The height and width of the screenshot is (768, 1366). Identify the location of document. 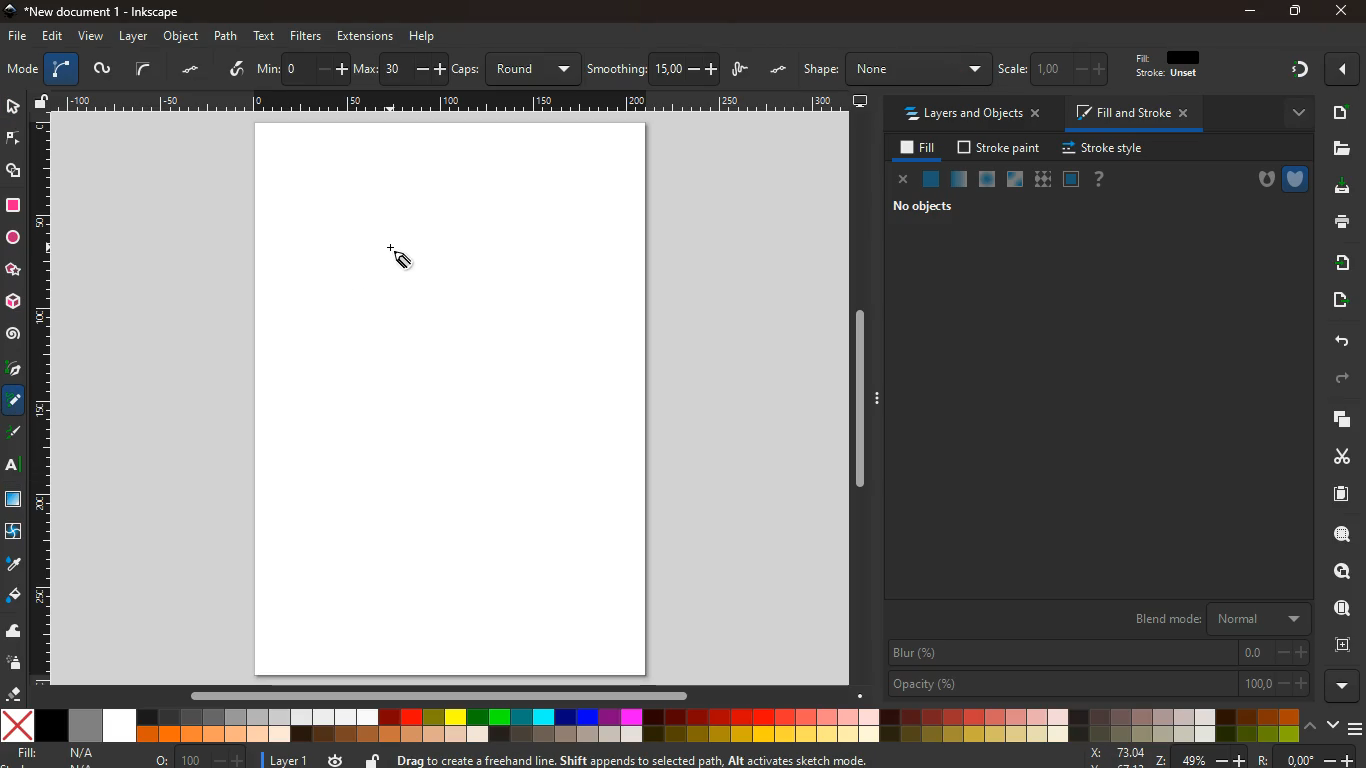
(1339, 112).